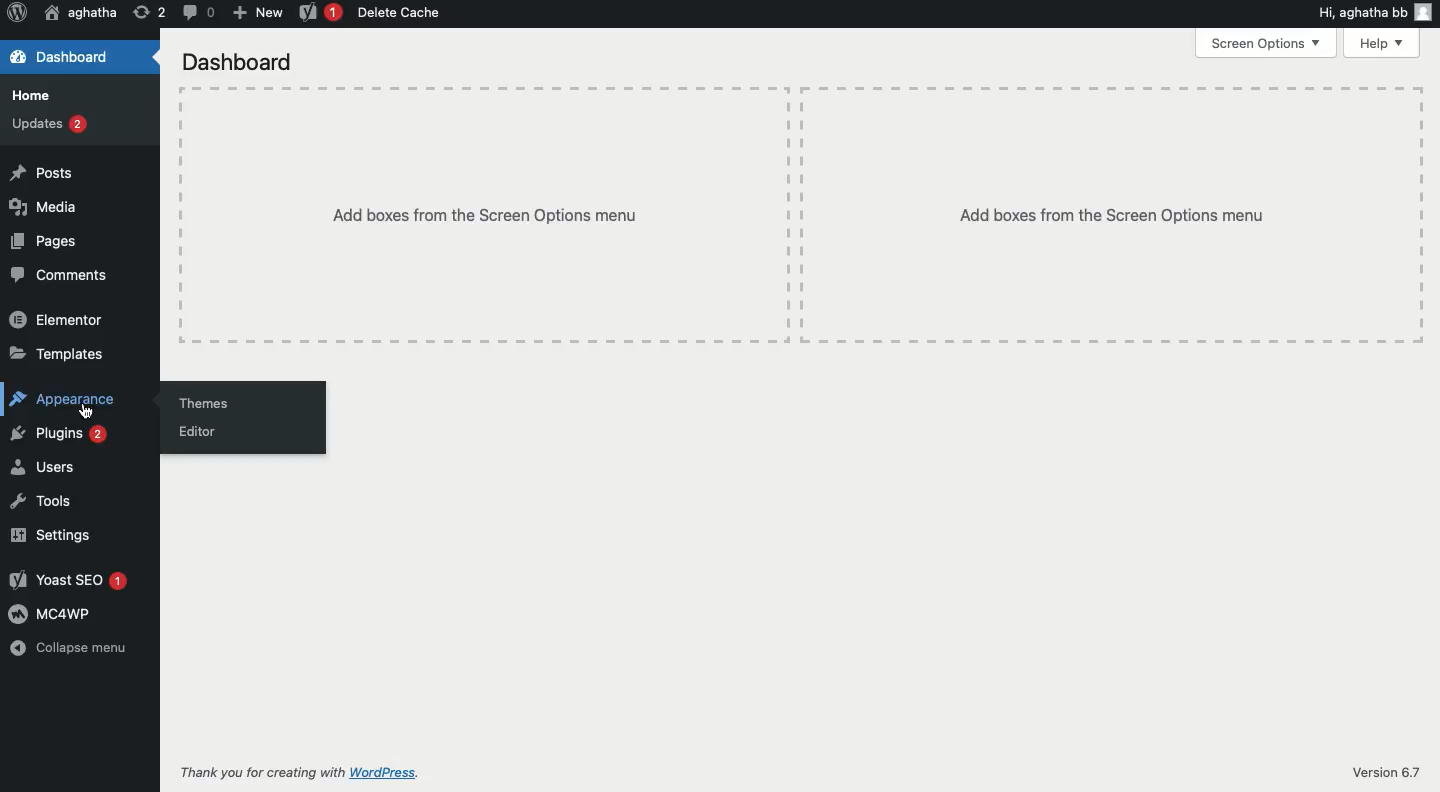 This screenshot has height=792, width=1440. Describe the element at coordinates (401, 14) in the screenshot. I see `Delete cache` at that location.